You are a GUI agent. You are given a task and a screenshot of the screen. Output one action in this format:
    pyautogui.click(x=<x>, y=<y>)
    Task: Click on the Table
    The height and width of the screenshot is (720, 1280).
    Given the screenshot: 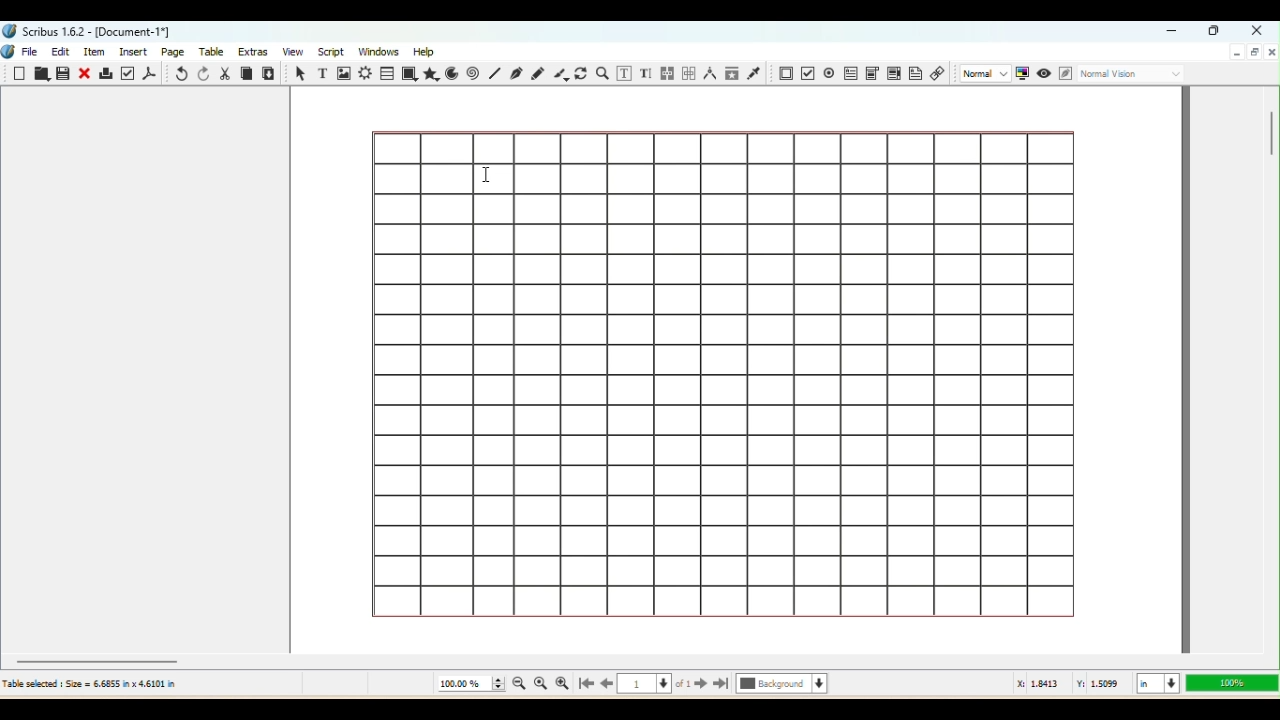 What is the action you would take?
    pyautogui.click(x=215, y=53)
    